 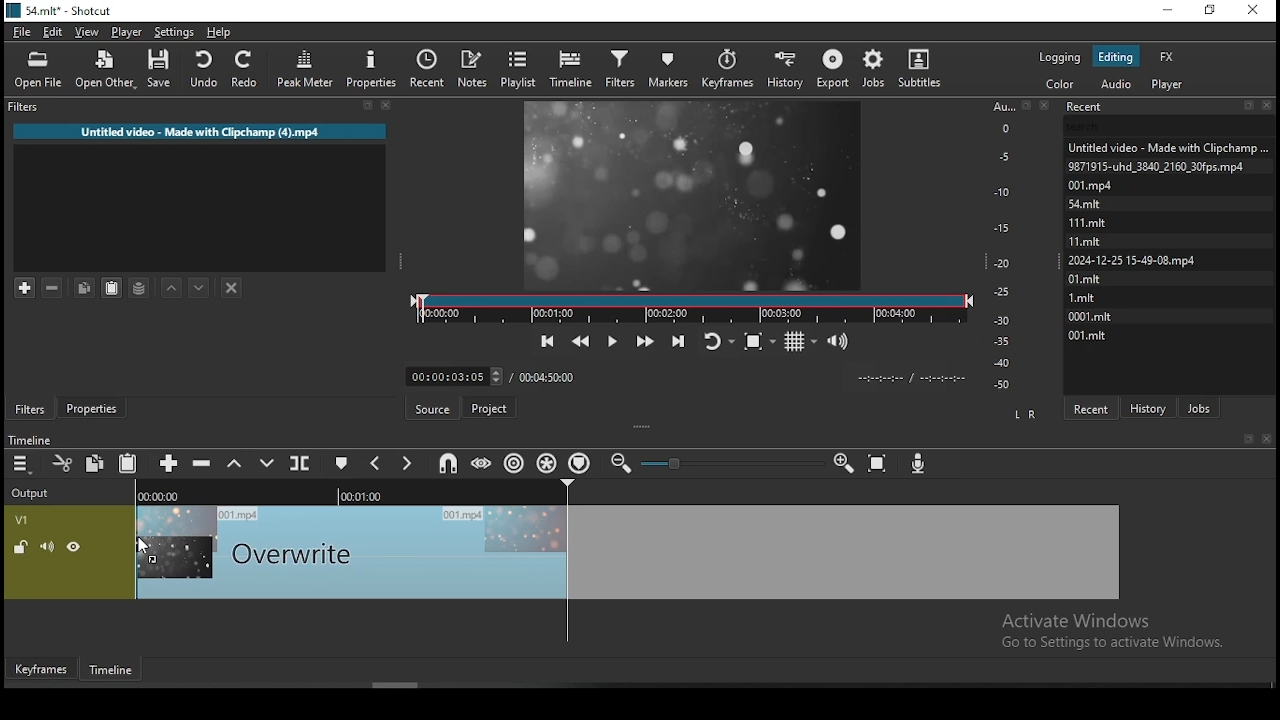 I want to click on skip to the next point, so click(x=676, y=339).